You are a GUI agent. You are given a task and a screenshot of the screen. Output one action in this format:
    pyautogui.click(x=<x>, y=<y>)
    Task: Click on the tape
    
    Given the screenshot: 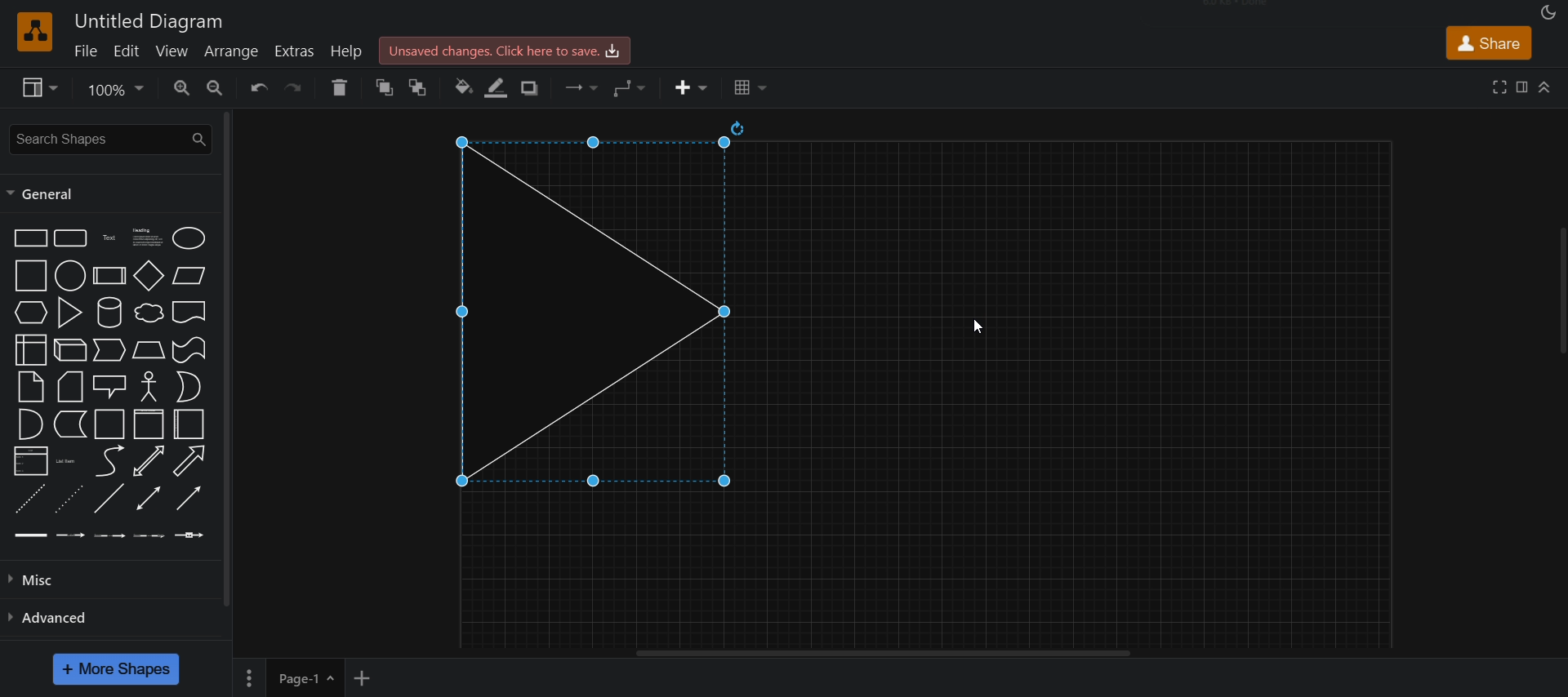 What is the action you would take?
    pyautogui.click(x=189, y=350)
    